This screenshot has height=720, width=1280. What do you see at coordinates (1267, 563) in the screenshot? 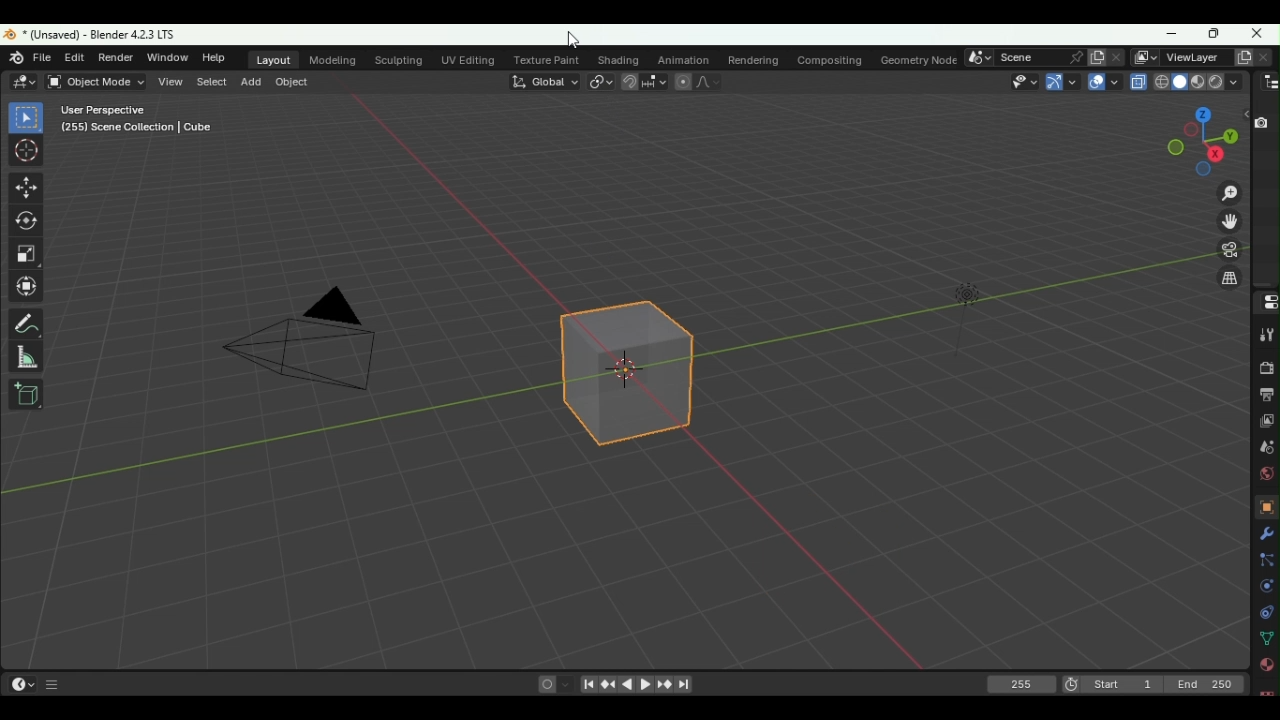
I see `Particles` at bounding box center [1267, 563].